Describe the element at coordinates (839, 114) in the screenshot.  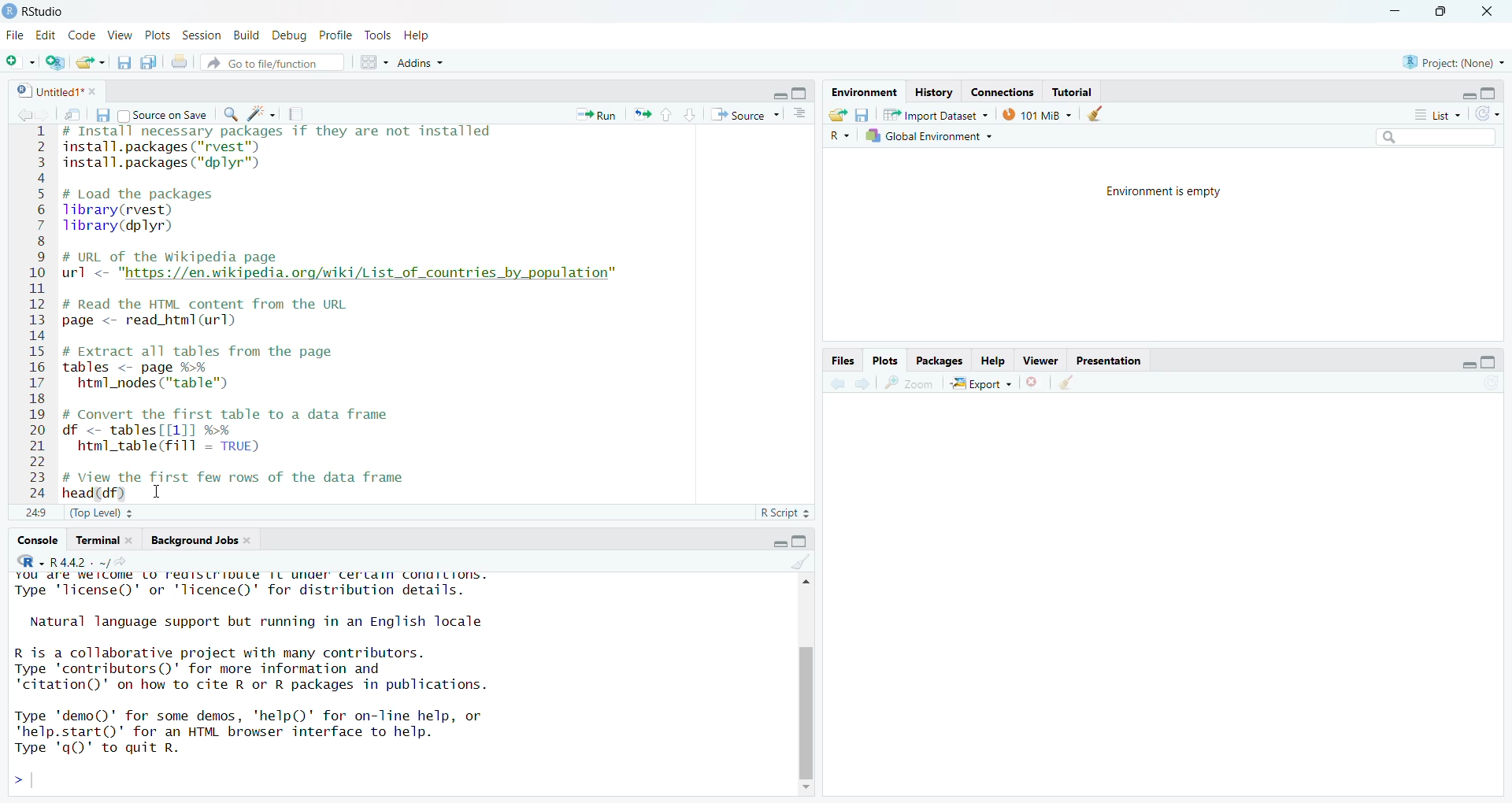
I see `open folder` at that location.